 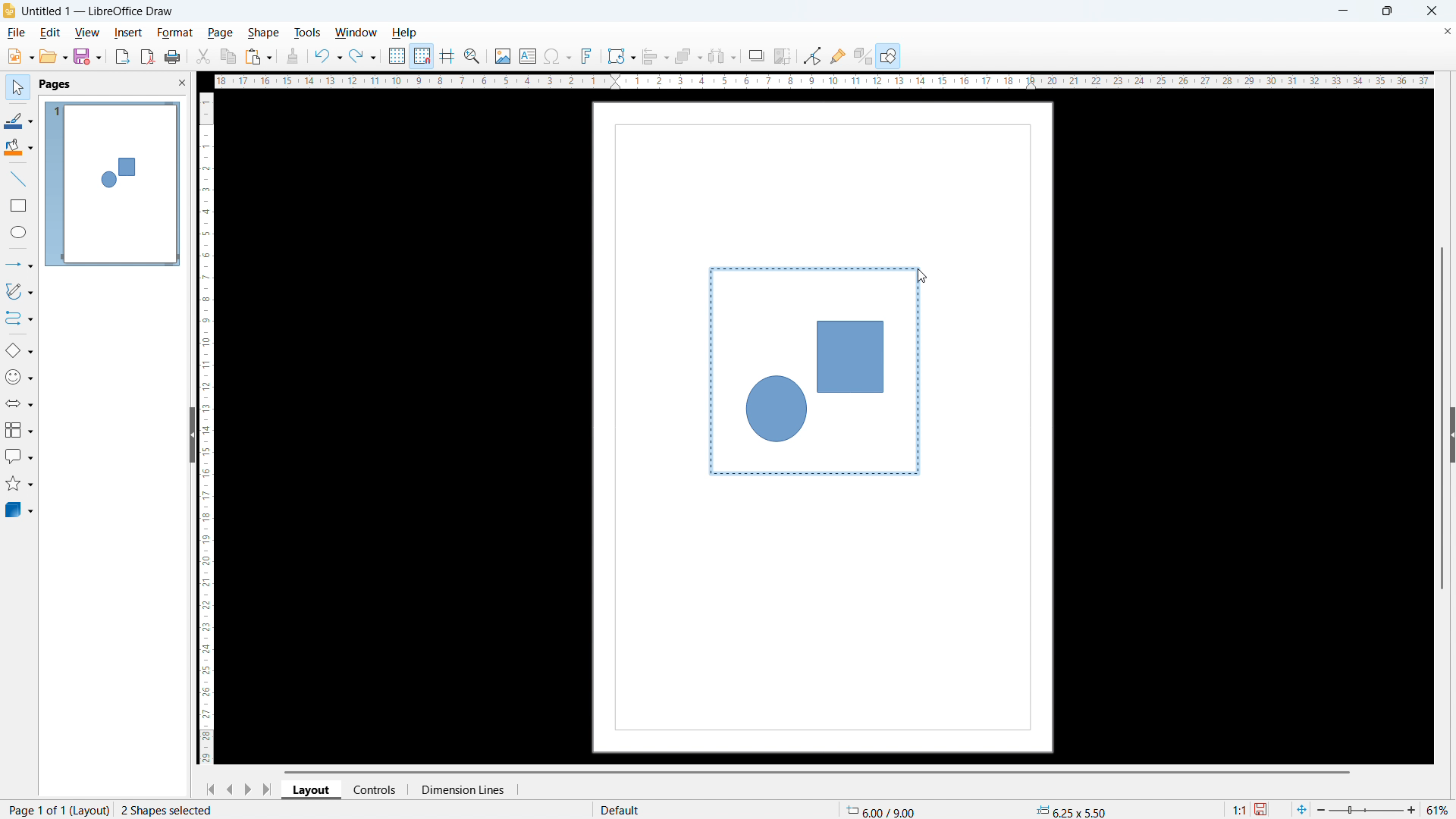 What do you see at coordinates (293, 56) in the screenshot?
I see `clone formatting` at bounding box center [293, 56].